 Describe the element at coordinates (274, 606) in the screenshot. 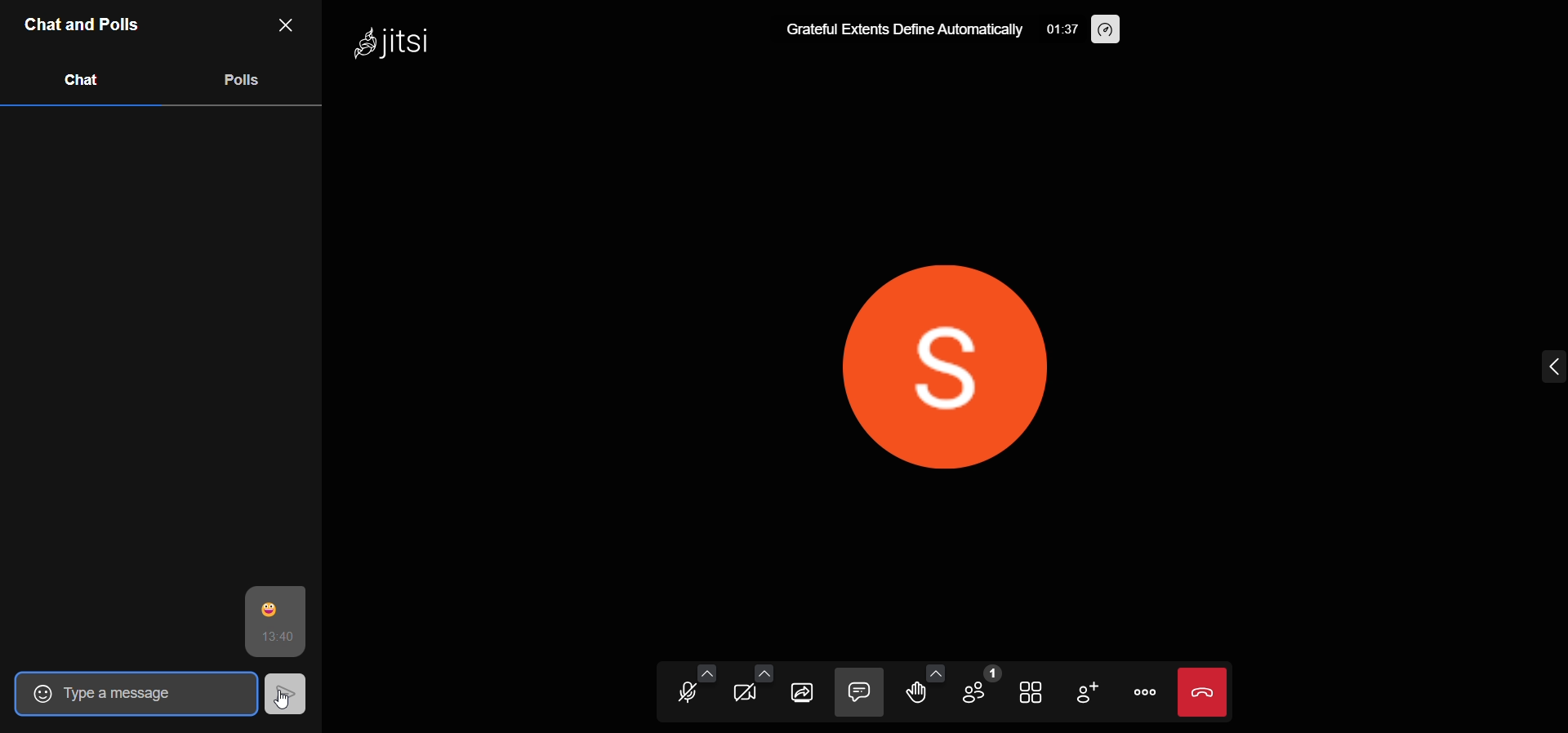

I see `sent emoji` at that location.